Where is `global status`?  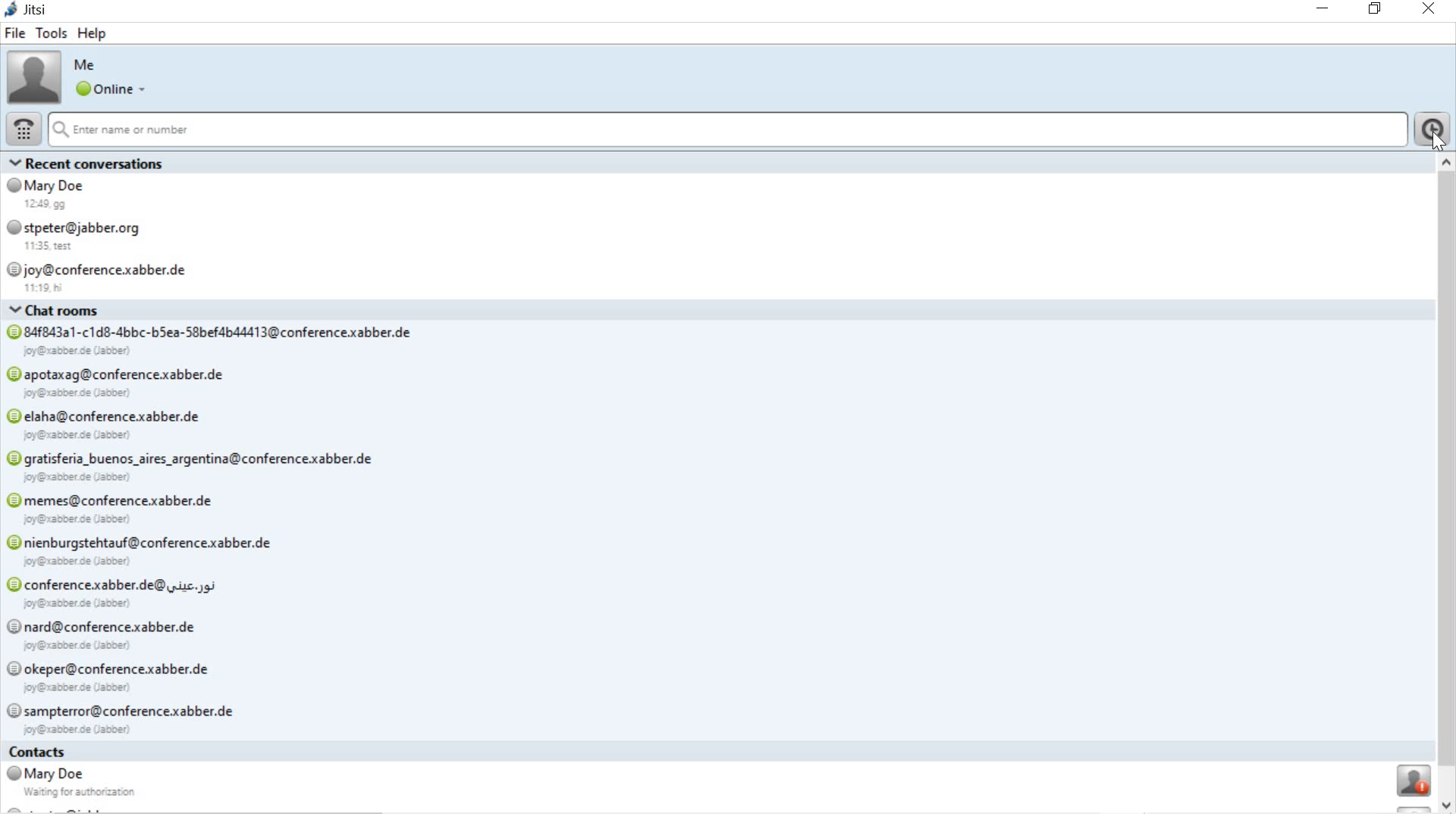
global status is located at coordinates (113, 90).